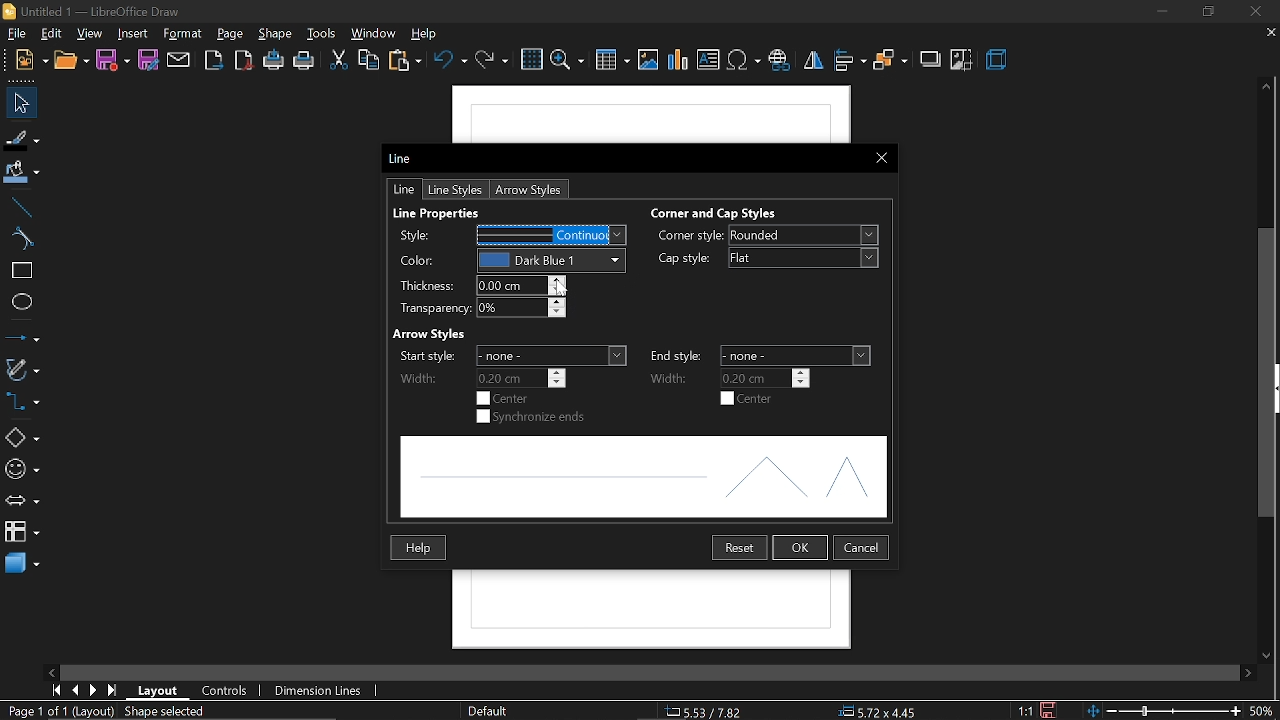 Image resolution: width=1280 pixels, height=720 pixels. Describe the element at coordinates (23, 238) in the screenshot. I see `curve` at that location.